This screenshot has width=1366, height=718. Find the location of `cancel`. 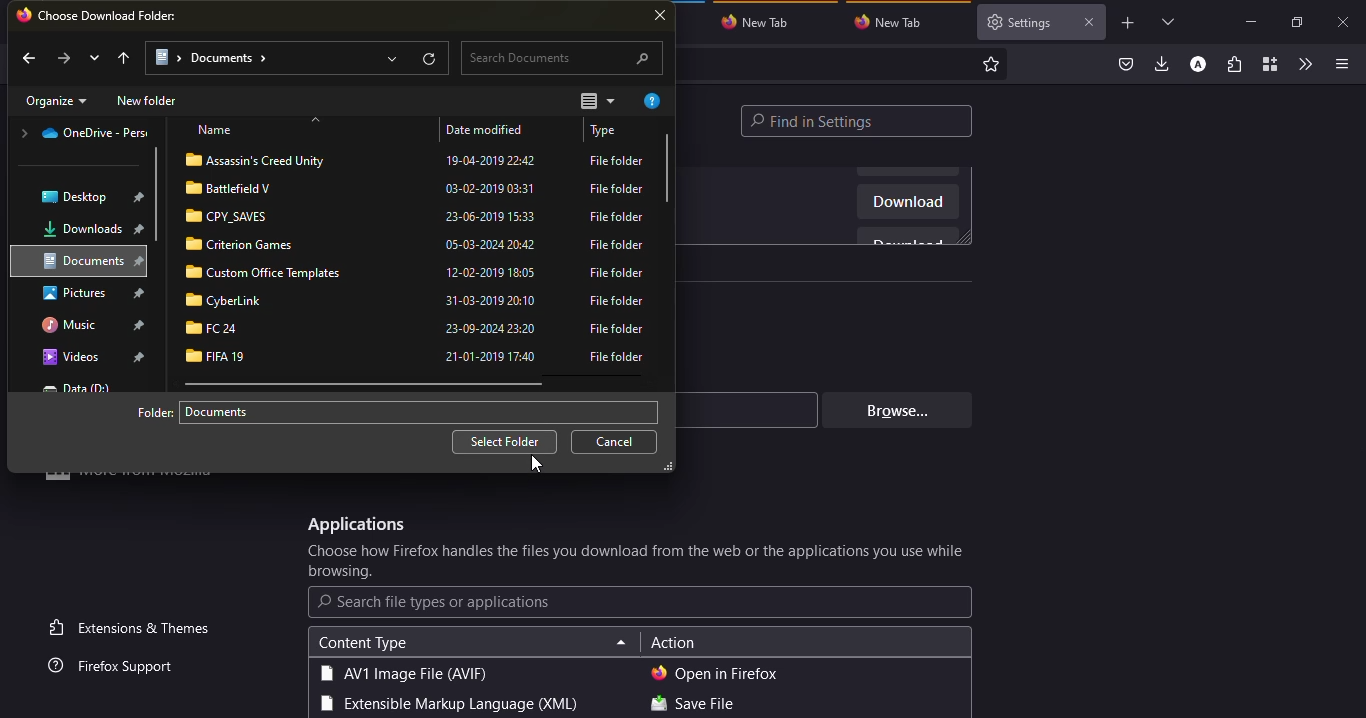

cancel is located at coordinates (617, 442).